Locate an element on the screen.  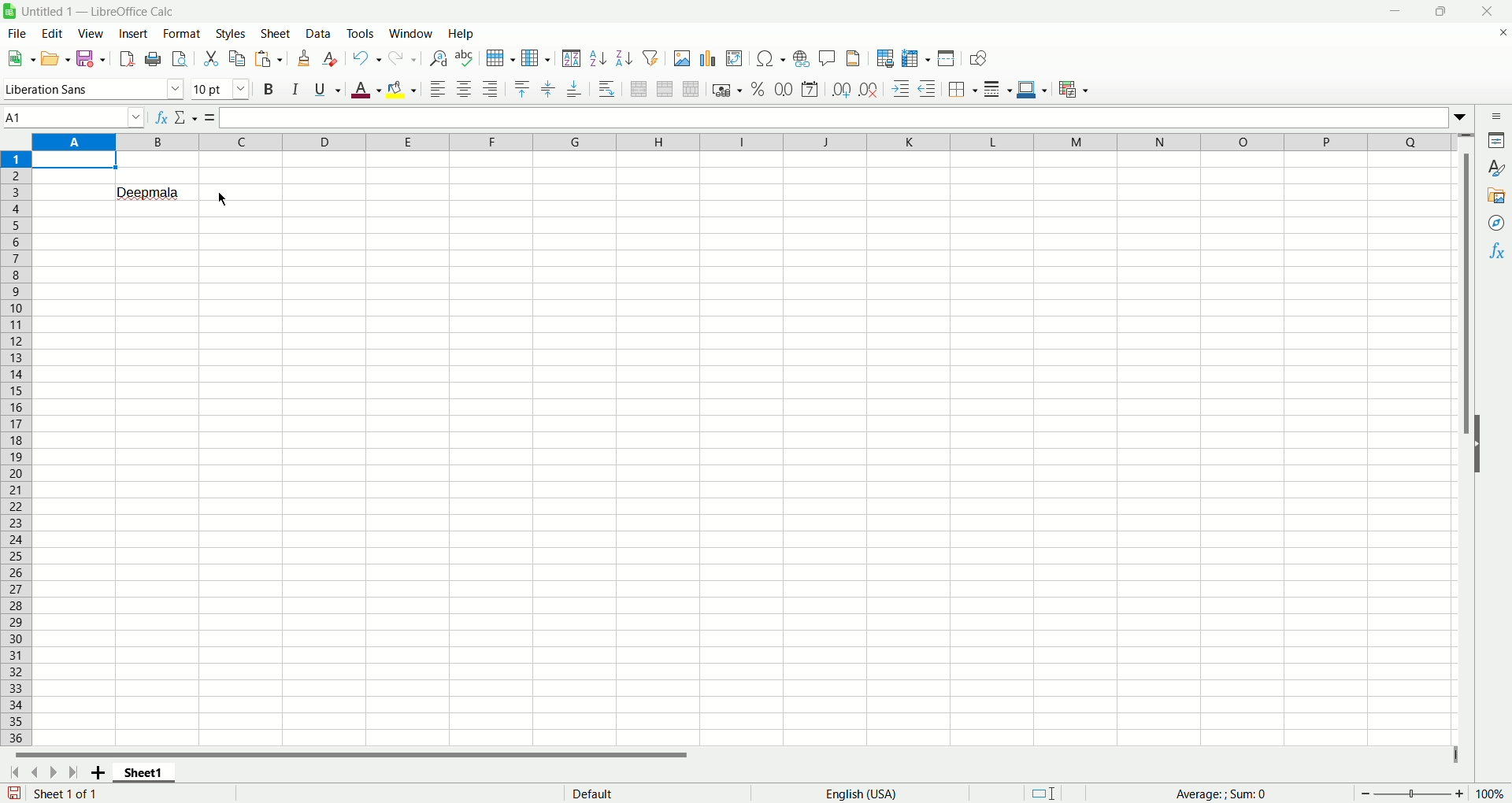
Wrap text is located at coordinates (606, 87).